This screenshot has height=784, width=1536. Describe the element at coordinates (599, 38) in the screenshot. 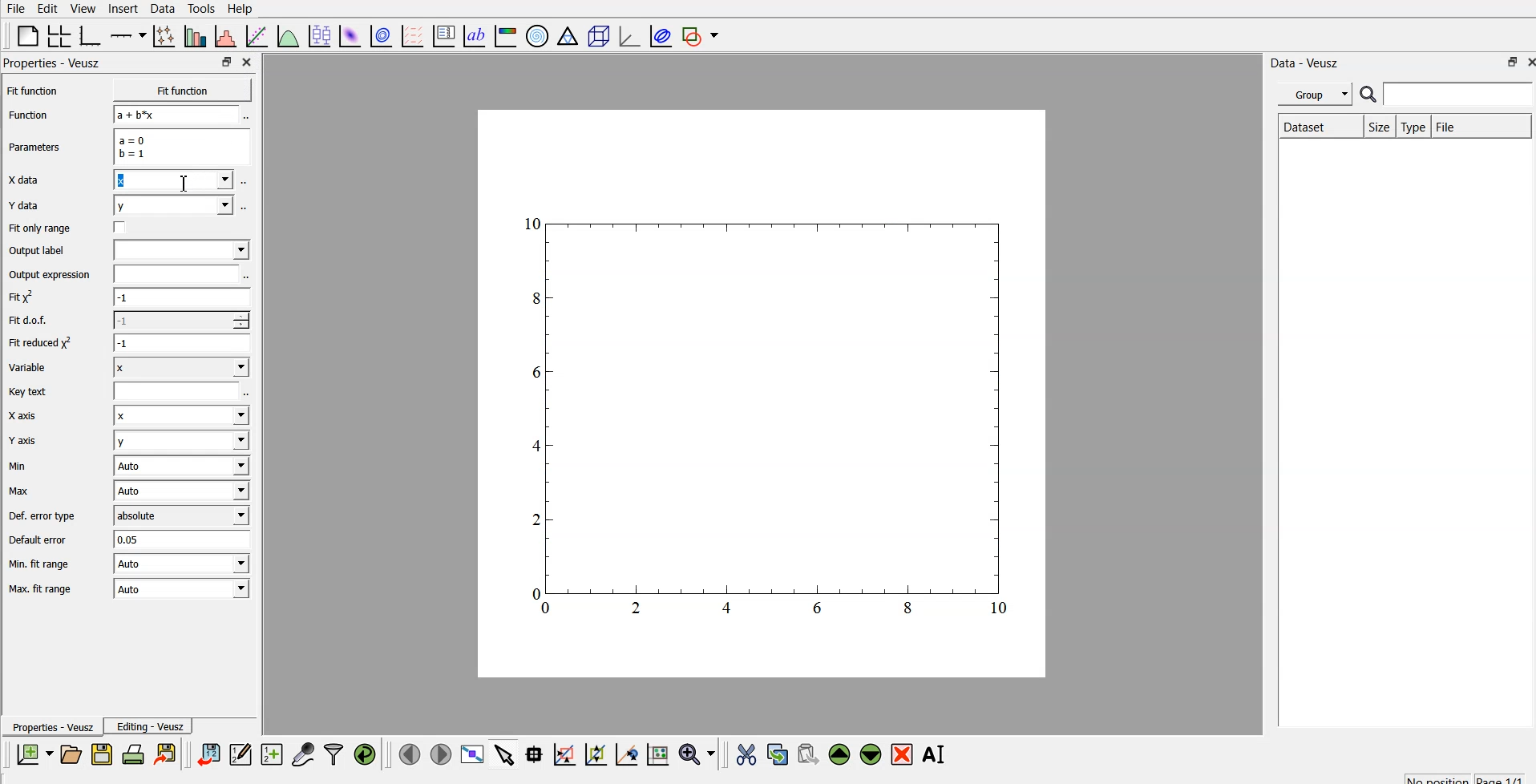

I see `3d scene` at that location.